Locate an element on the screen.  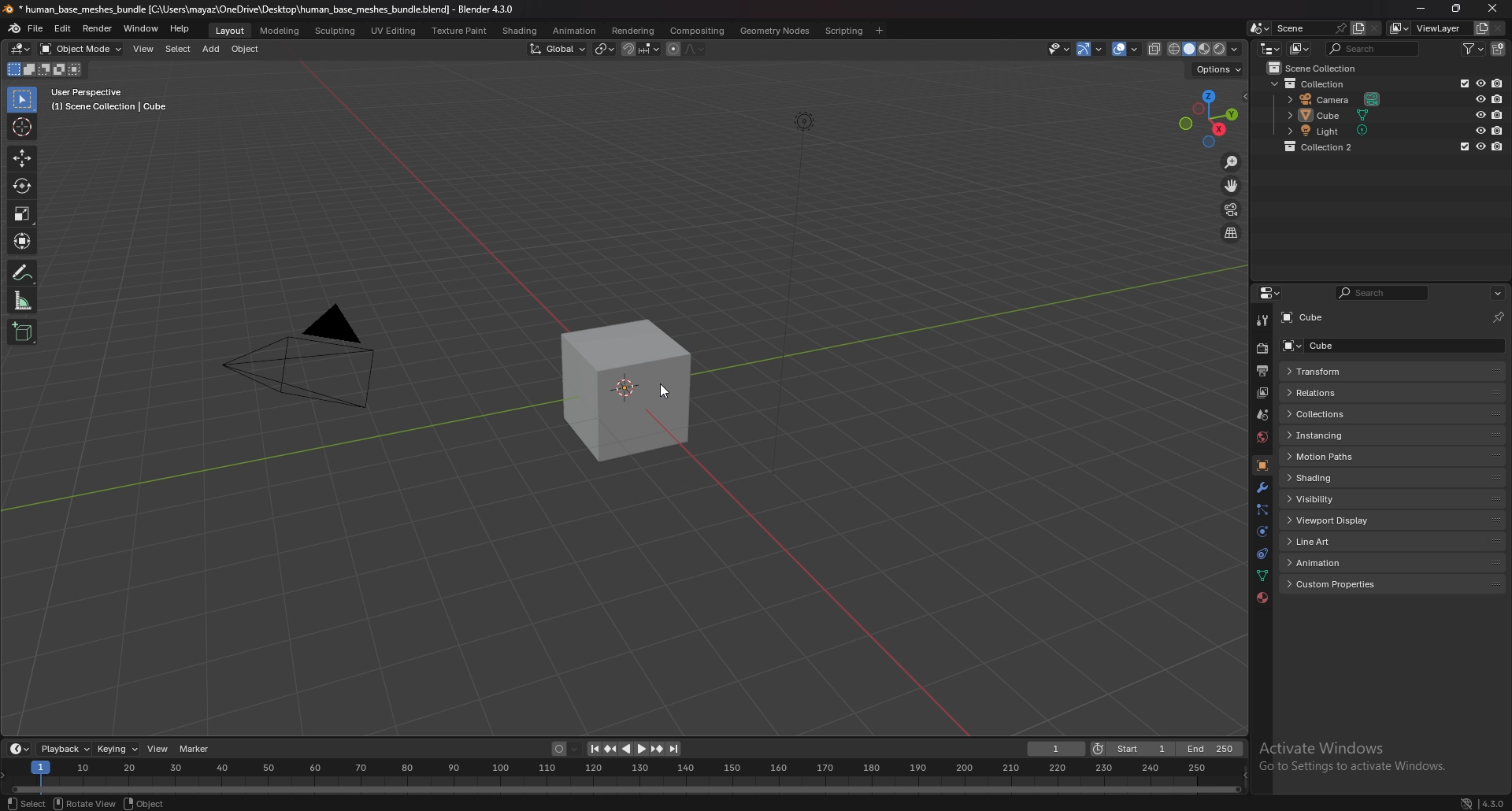
add scene is located at coordinates (1358, 28).